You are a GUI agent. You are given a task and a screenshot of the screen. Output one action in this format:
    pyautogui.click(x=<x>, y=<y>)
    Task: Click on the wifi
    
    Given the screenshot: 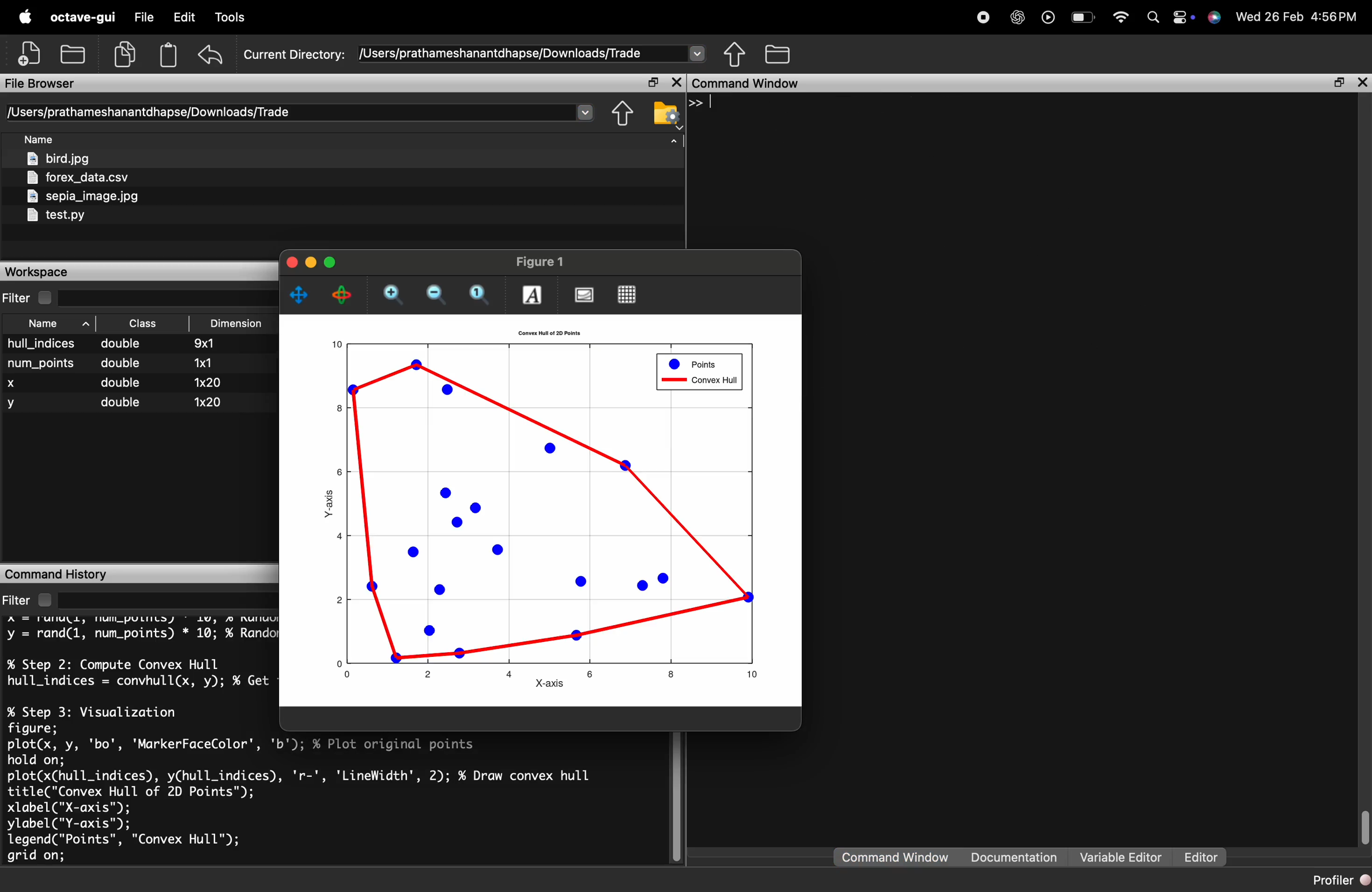 What is the action you would take?
    pyautogui.click(x=1121, y=18)
    